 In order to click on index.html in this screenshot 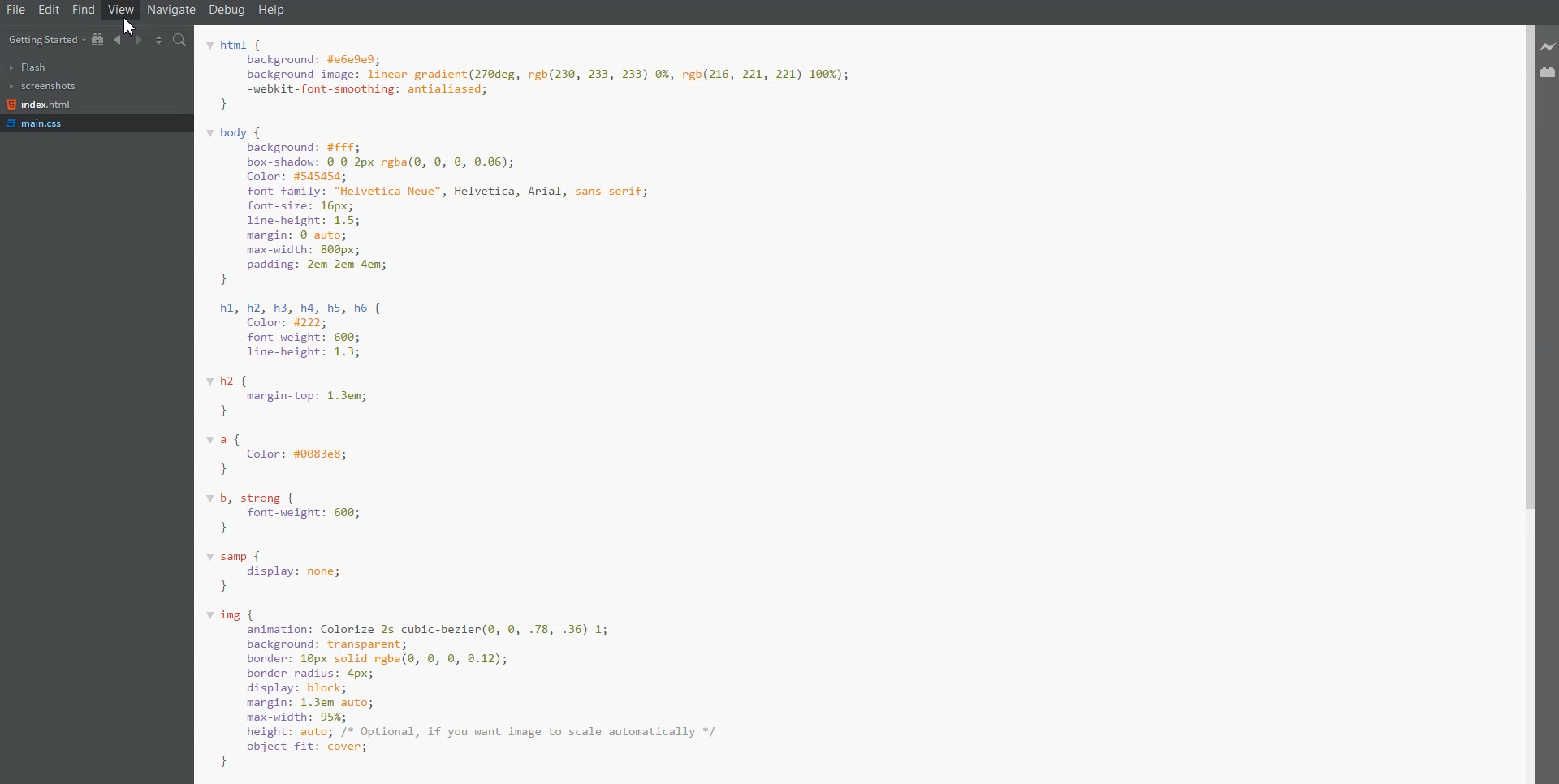, I will do `click(39, 105)`.